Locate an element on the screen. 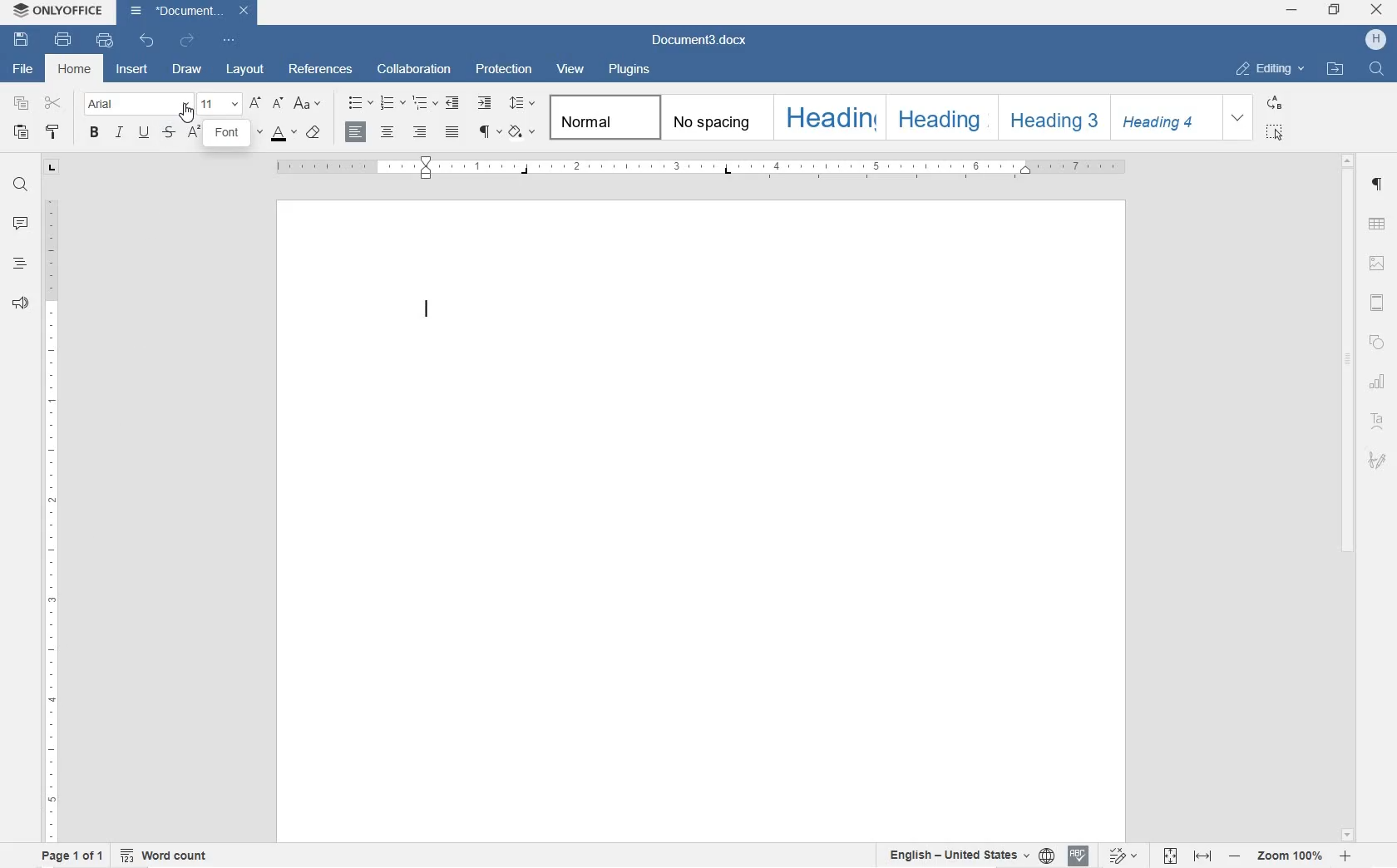 The image size is (1397, 868). DECREASE INDENT is located at coordinates (452, 104).